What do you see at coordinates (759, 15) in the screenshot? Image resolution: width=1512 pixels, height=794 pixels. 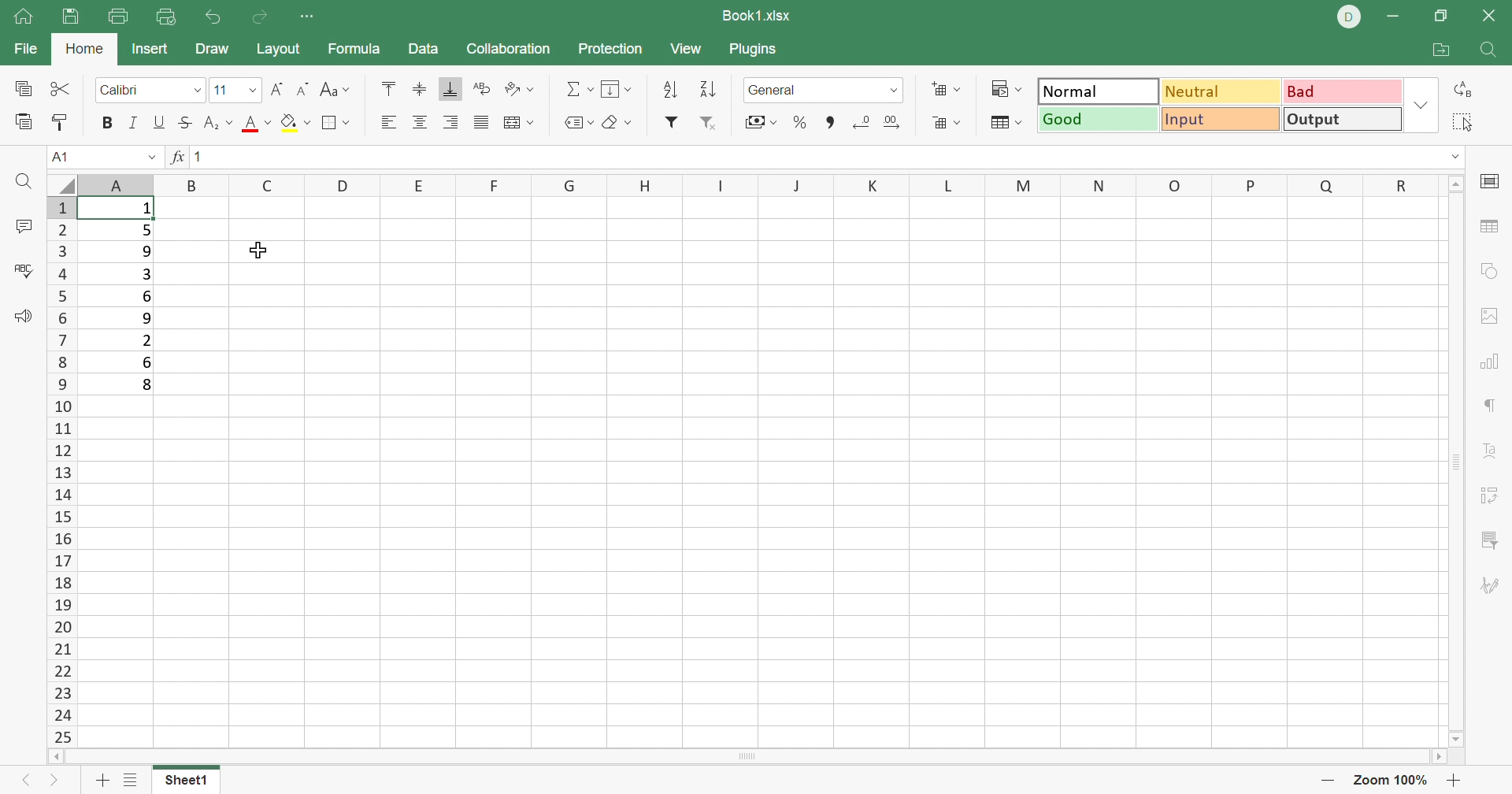 I see `Book1.xlsx` at bounding box center [759, 15].